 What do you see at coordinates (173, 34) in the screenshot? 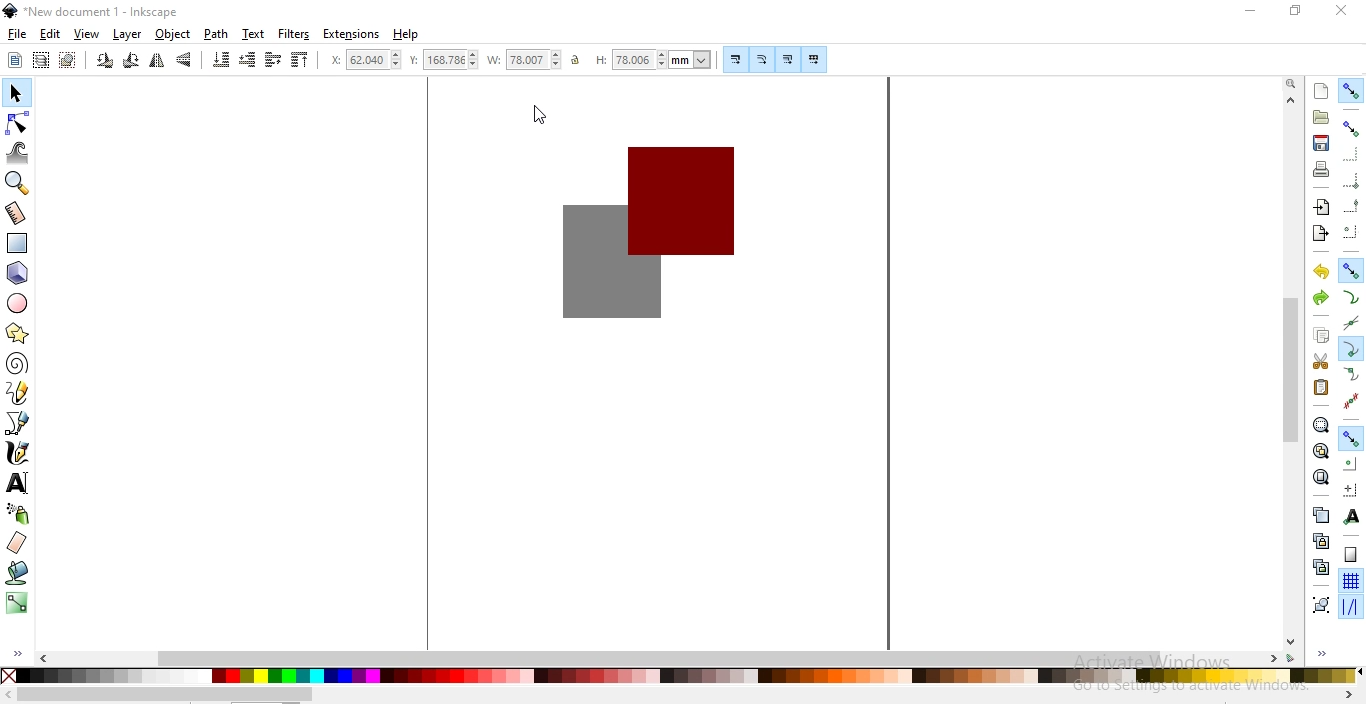
I see `object` at bounding box center [173, 34].